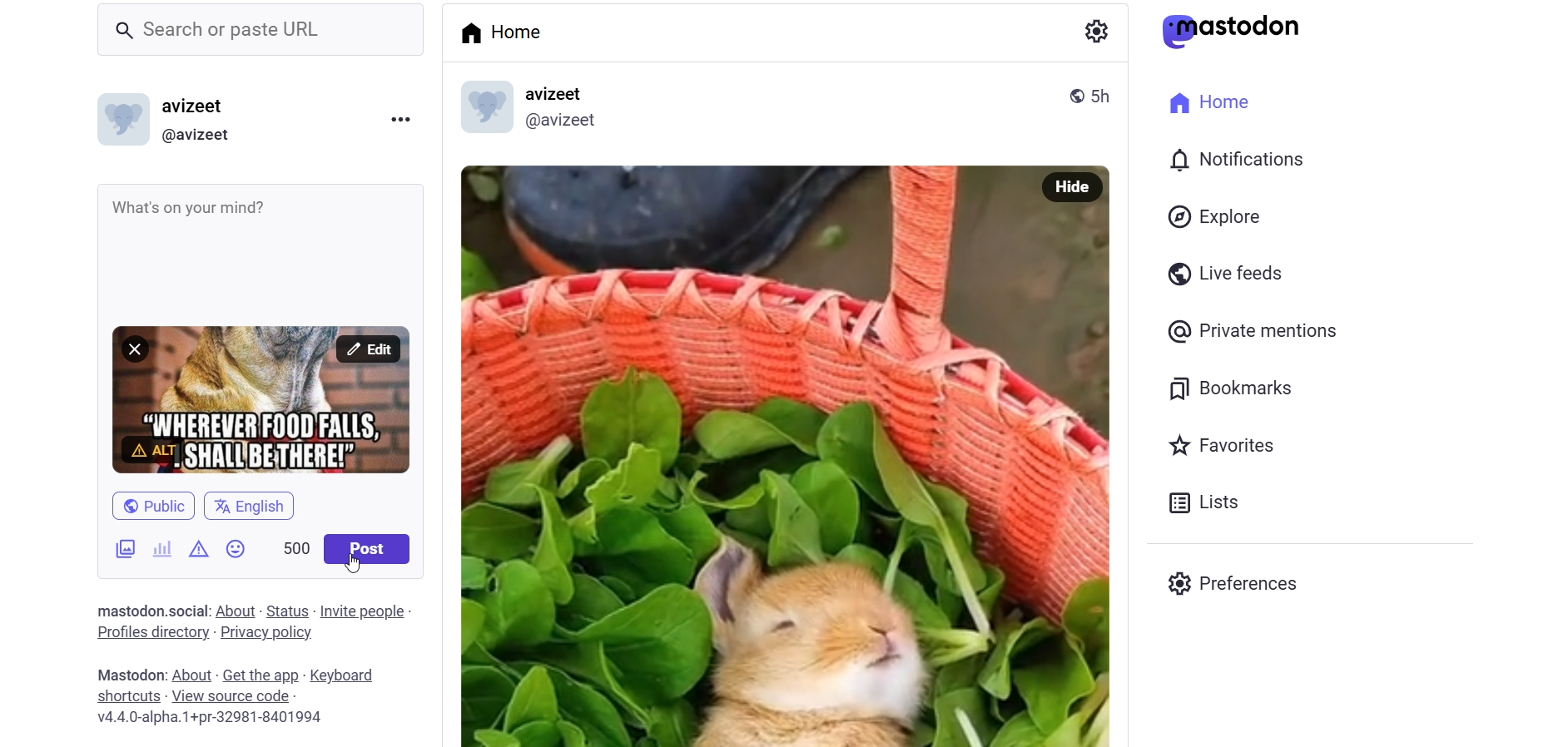 Image resolution: width=1568 pixels, height=747 pixels. Describe the element at coordinates (277, 237) in the screenshot. I see `writing area` at that location.